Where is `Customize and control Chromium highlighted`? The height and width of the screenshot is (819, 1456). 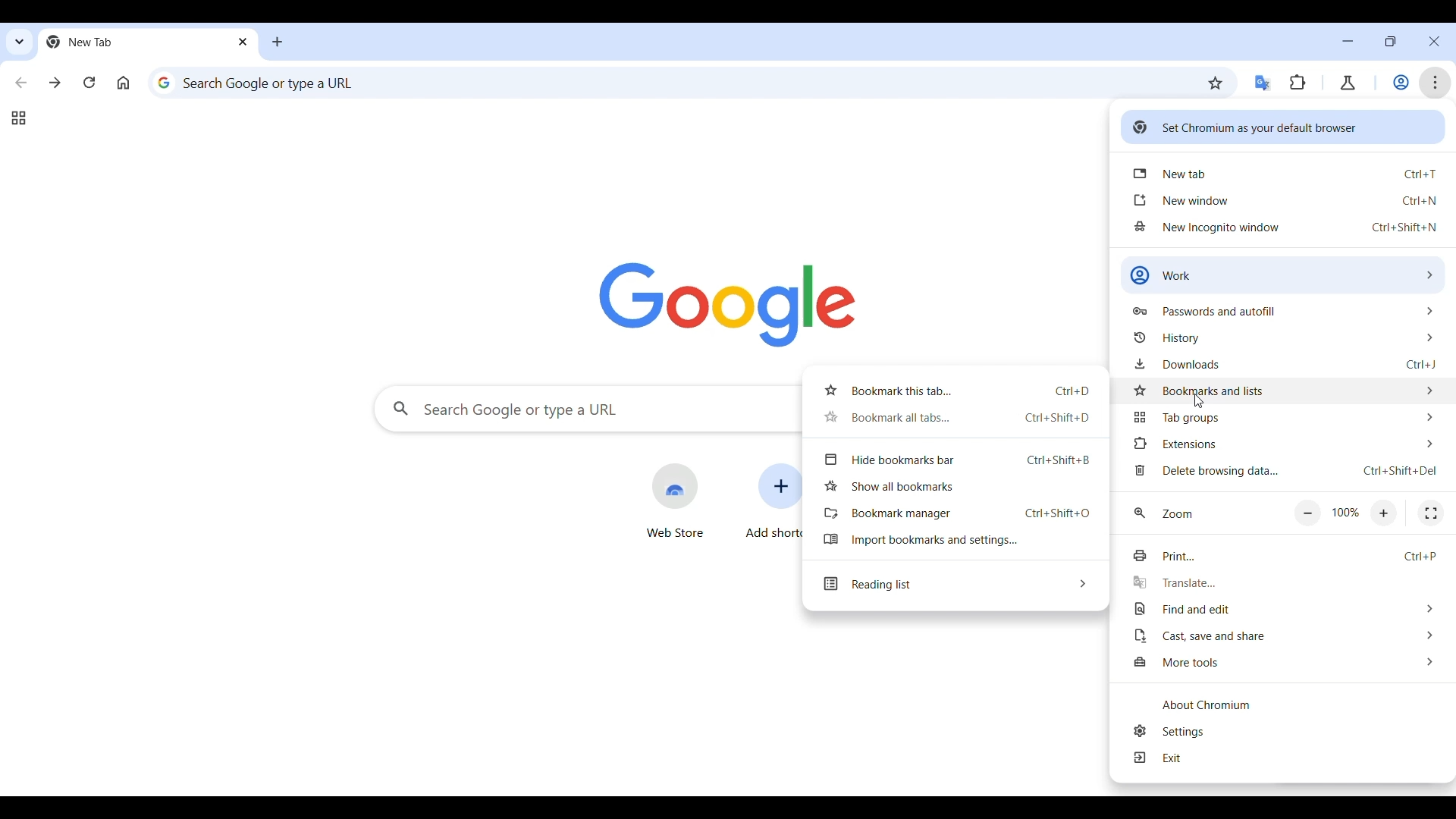 Customize and control Chromium highlighted is located at coordinates (1436, 83).